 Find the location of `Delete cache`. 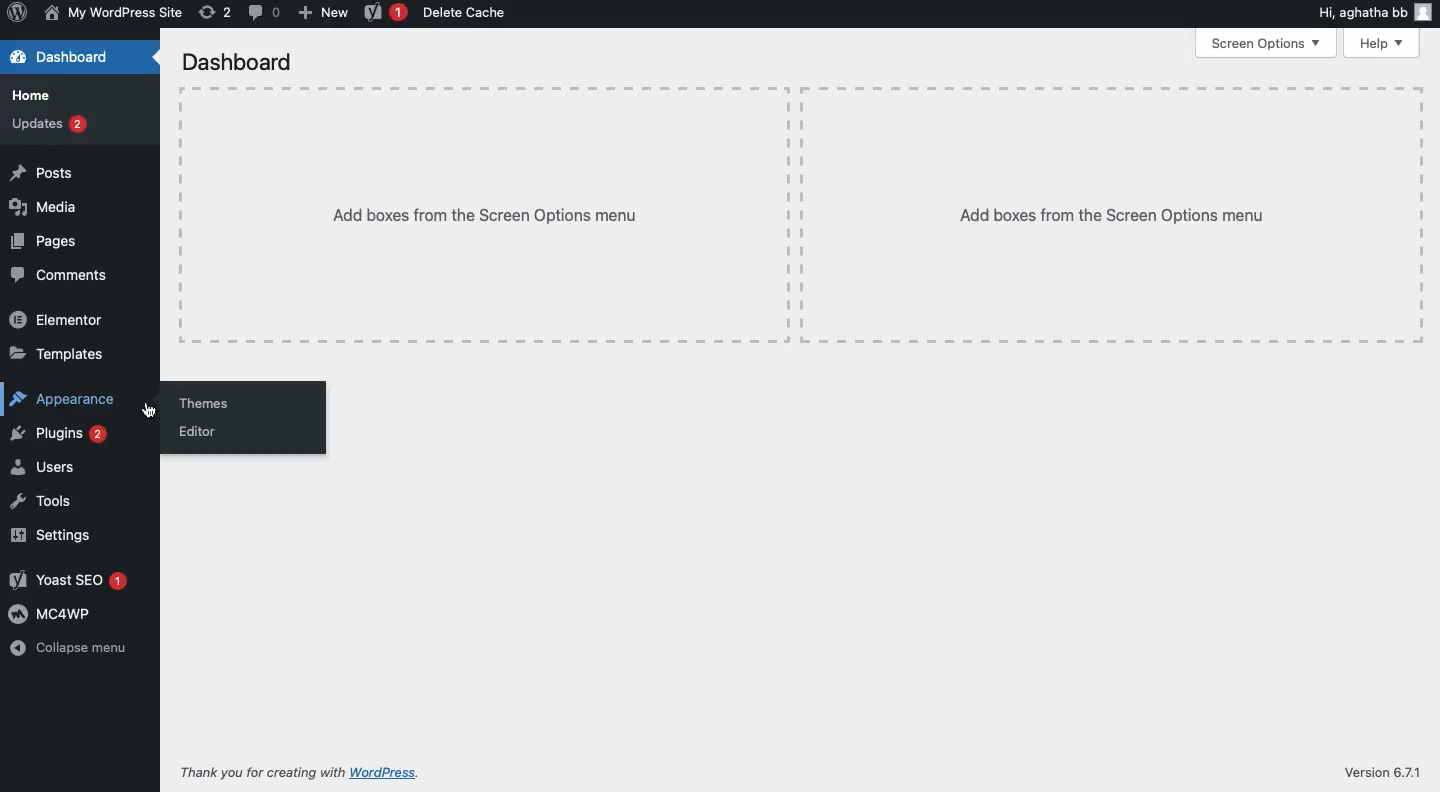

Delete cache is located at coordinates (470, 12).